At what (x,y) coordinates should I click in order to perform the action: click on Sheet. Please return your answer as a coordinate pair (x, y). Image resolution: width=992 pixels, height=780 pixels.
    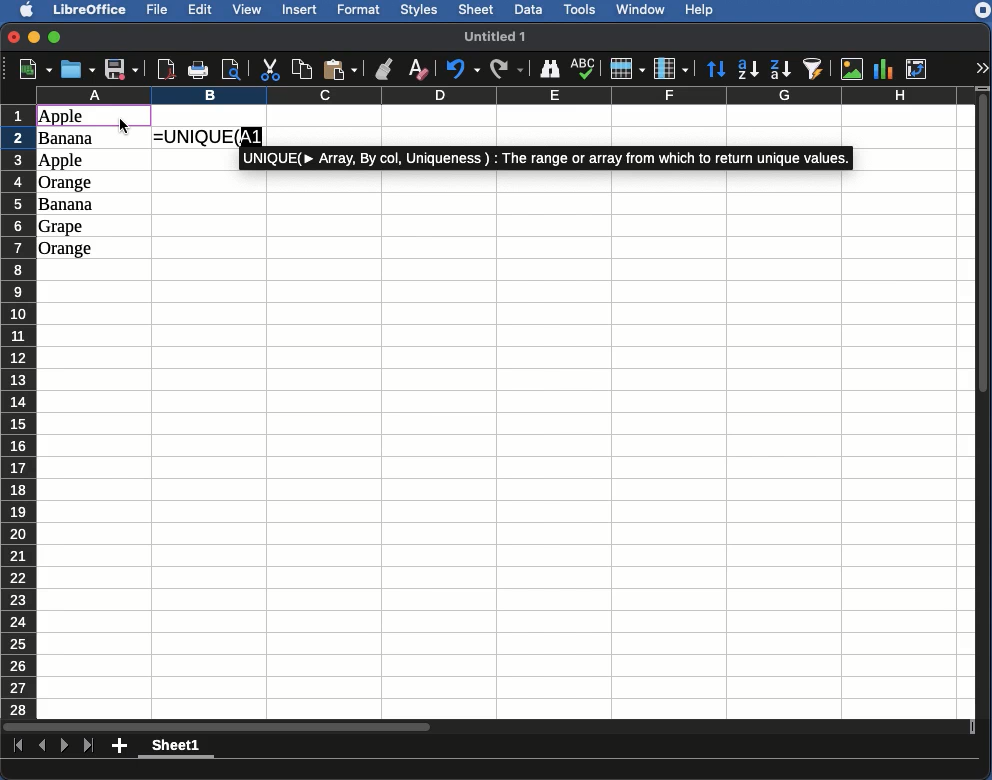
    Looking at the image, I should click on (477, 10).